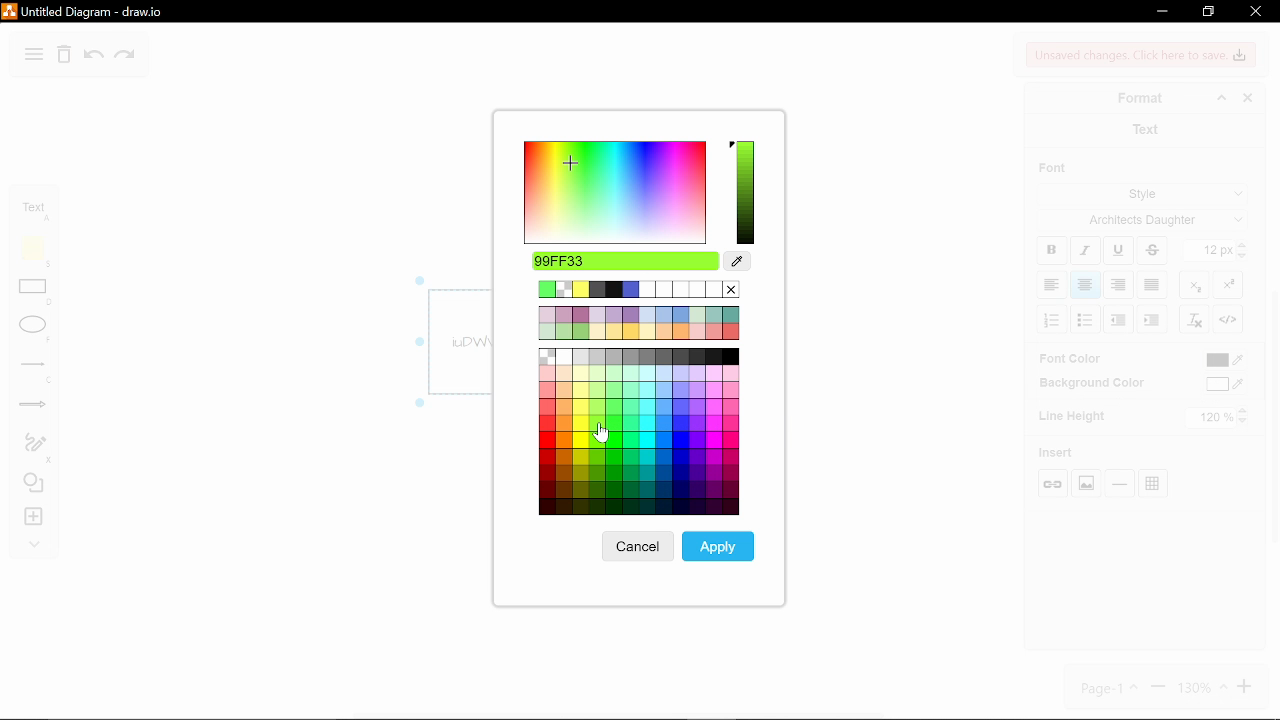 This screenshot has height=720, width=1280. Describe the element at coordinates (1245, 245) in the screenshot. I see `Increase text size` at that location.